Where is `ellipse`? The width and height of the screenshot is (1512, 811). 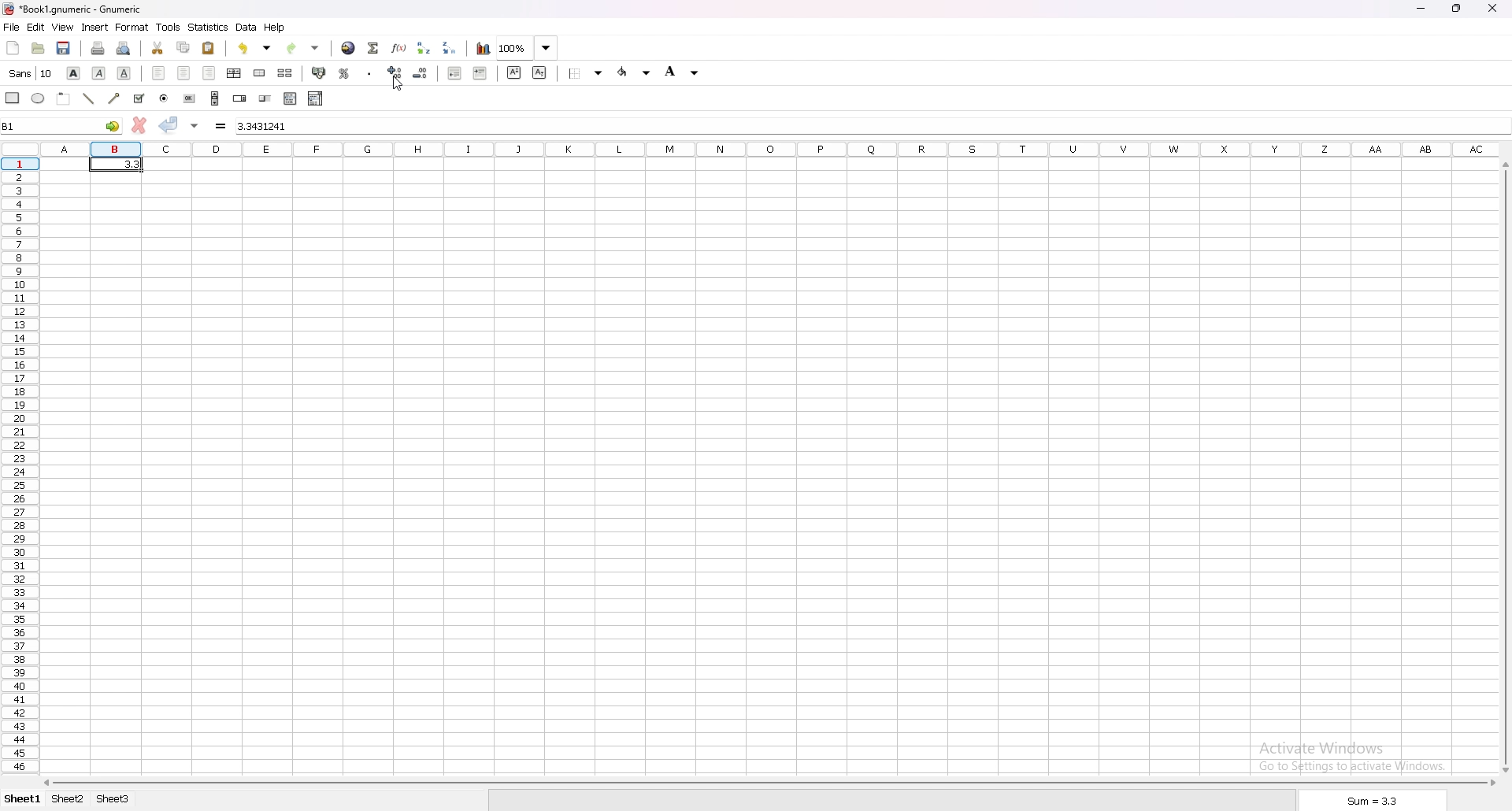
ellipse is located at coordinates (37, 99).